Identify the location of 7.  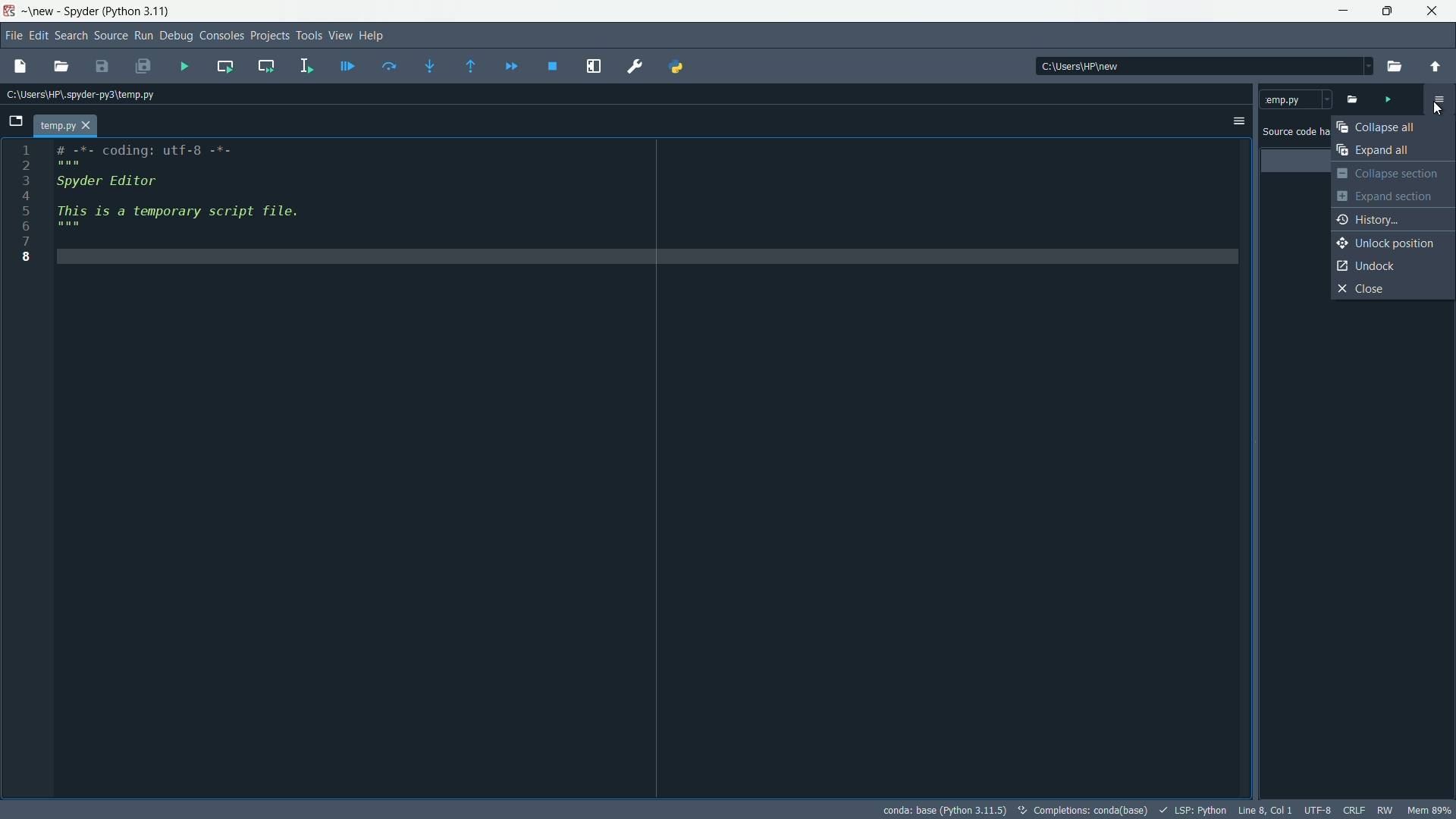
(25, 240).